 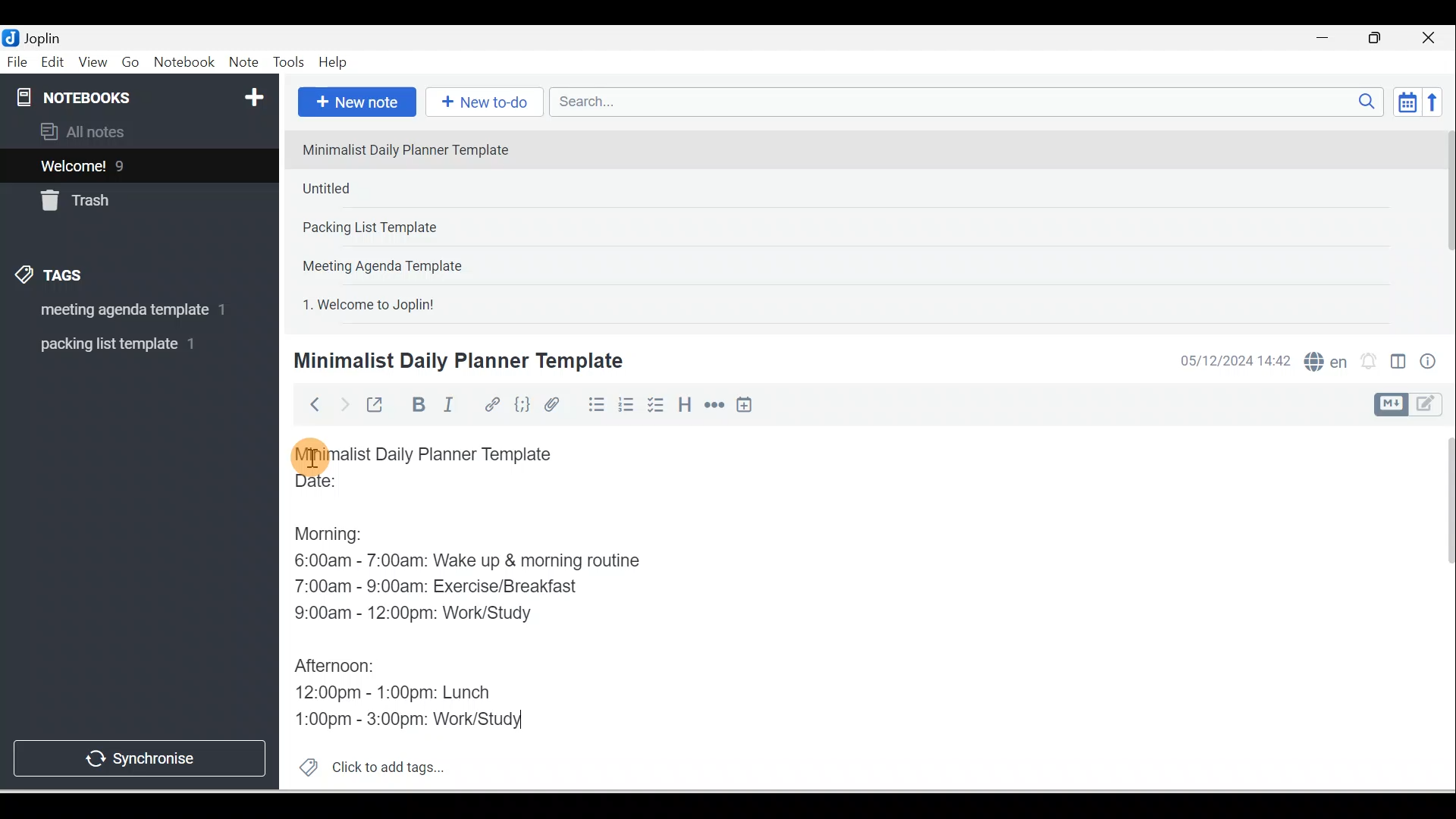 What do you see at coordinates (403, 262) in the screenshot?
I see `Note 4` at bounding box center [403, 262].